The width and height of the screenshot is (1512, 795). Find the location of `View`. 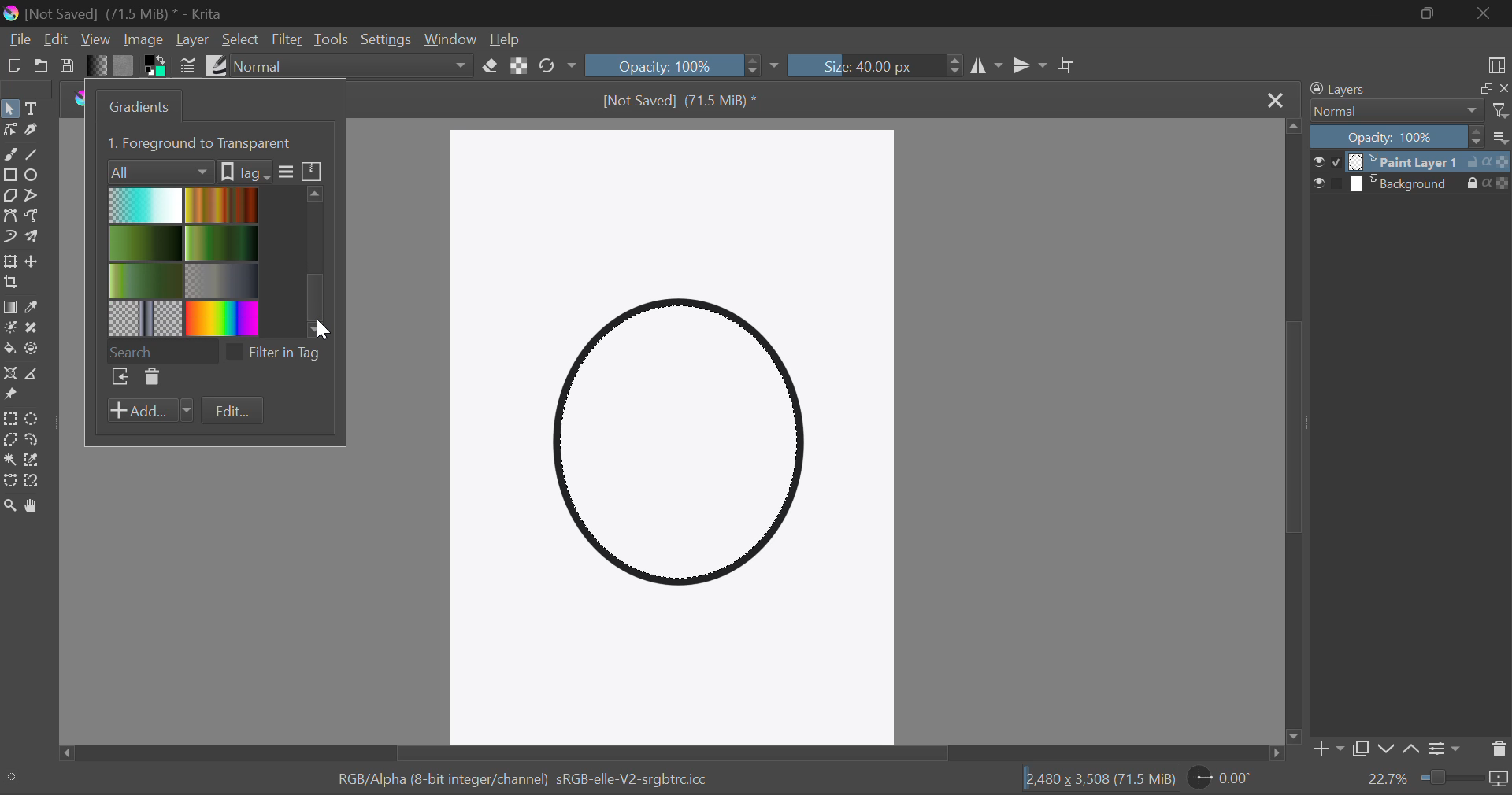

View is located at coordinates (95, 40).